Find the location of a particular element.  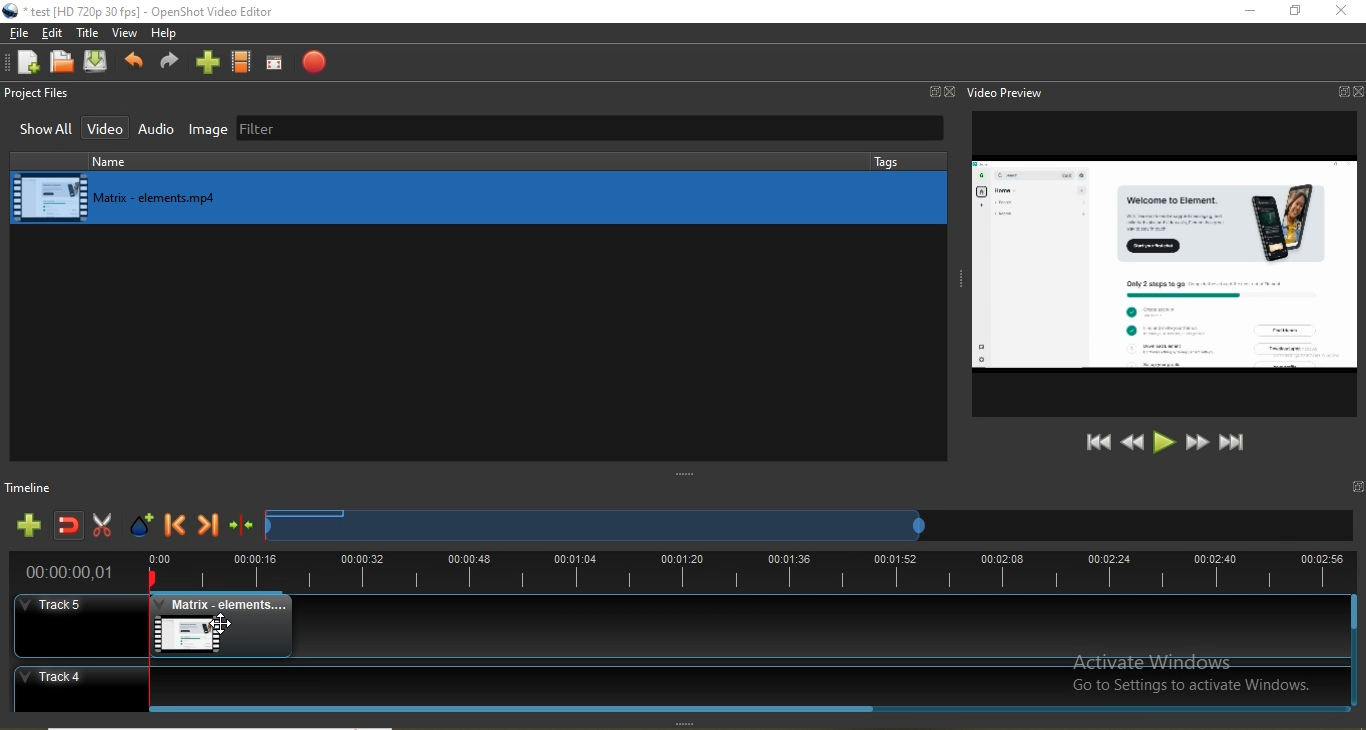

Timeline is located at coordinates (691, 572).